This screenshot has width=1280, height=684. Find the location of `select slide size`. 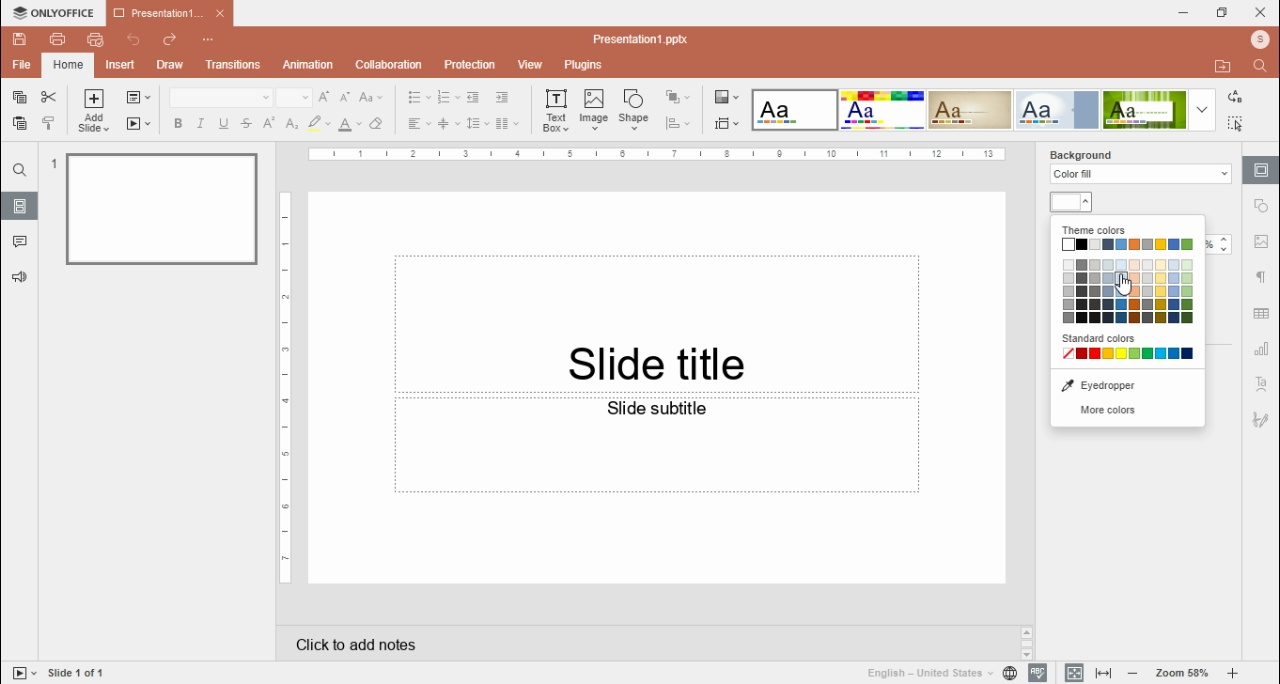

select slide size is located at coordinates (727, 123).